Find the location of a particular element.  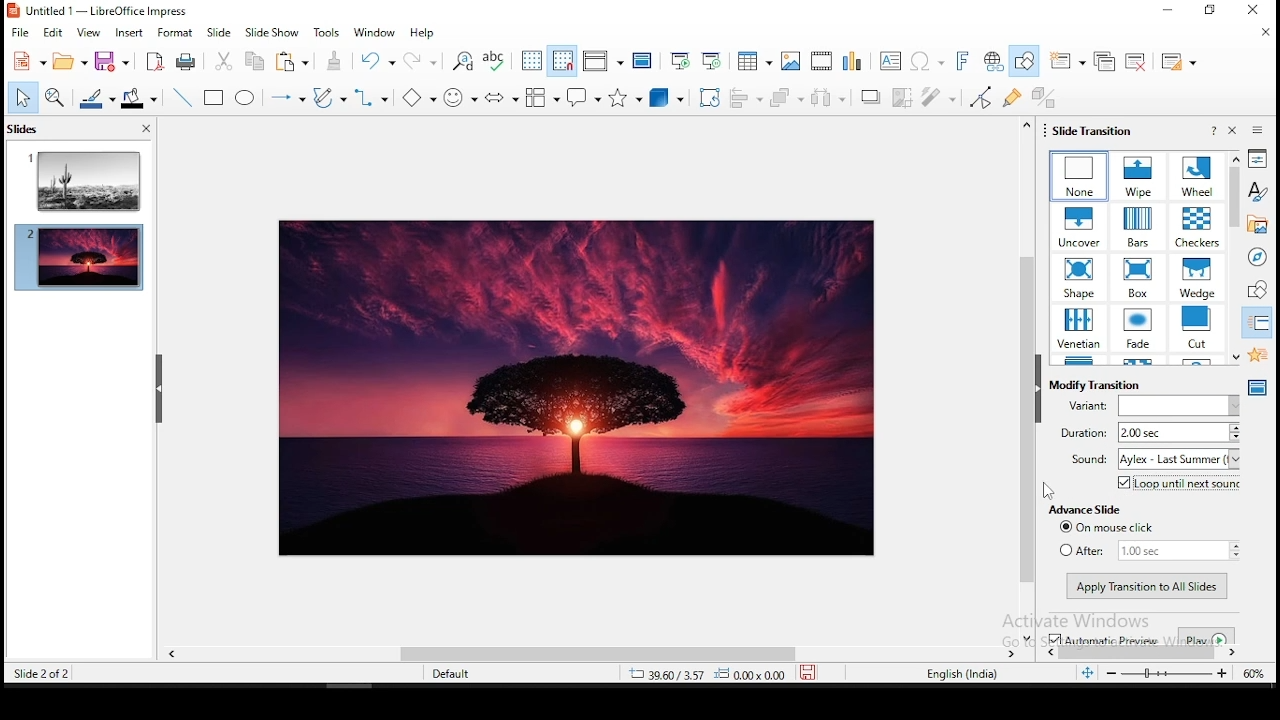

lines and arrows is located at coordinates (287, 100).